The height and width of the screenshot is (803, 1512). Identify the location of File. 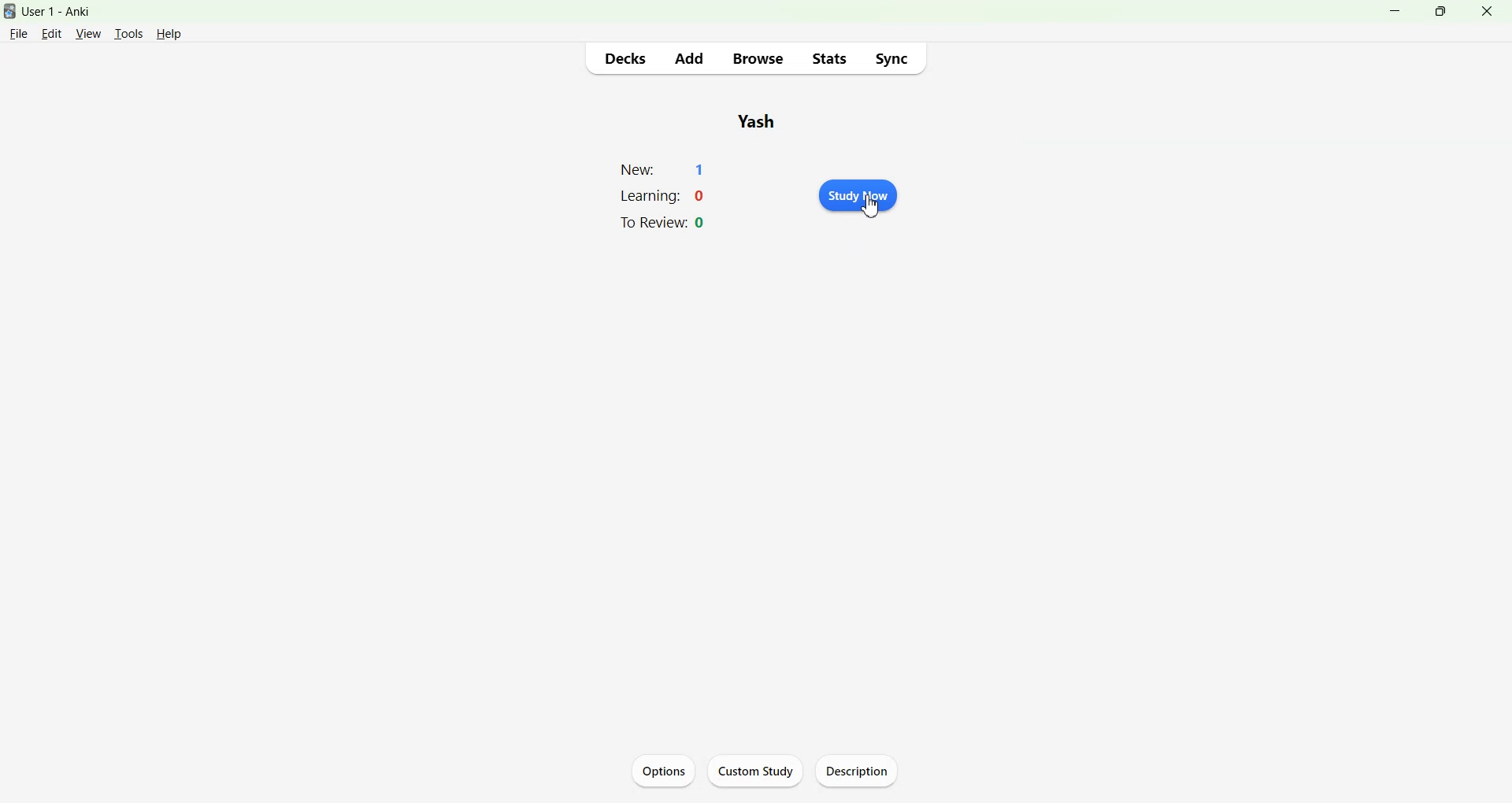
(19, 32).